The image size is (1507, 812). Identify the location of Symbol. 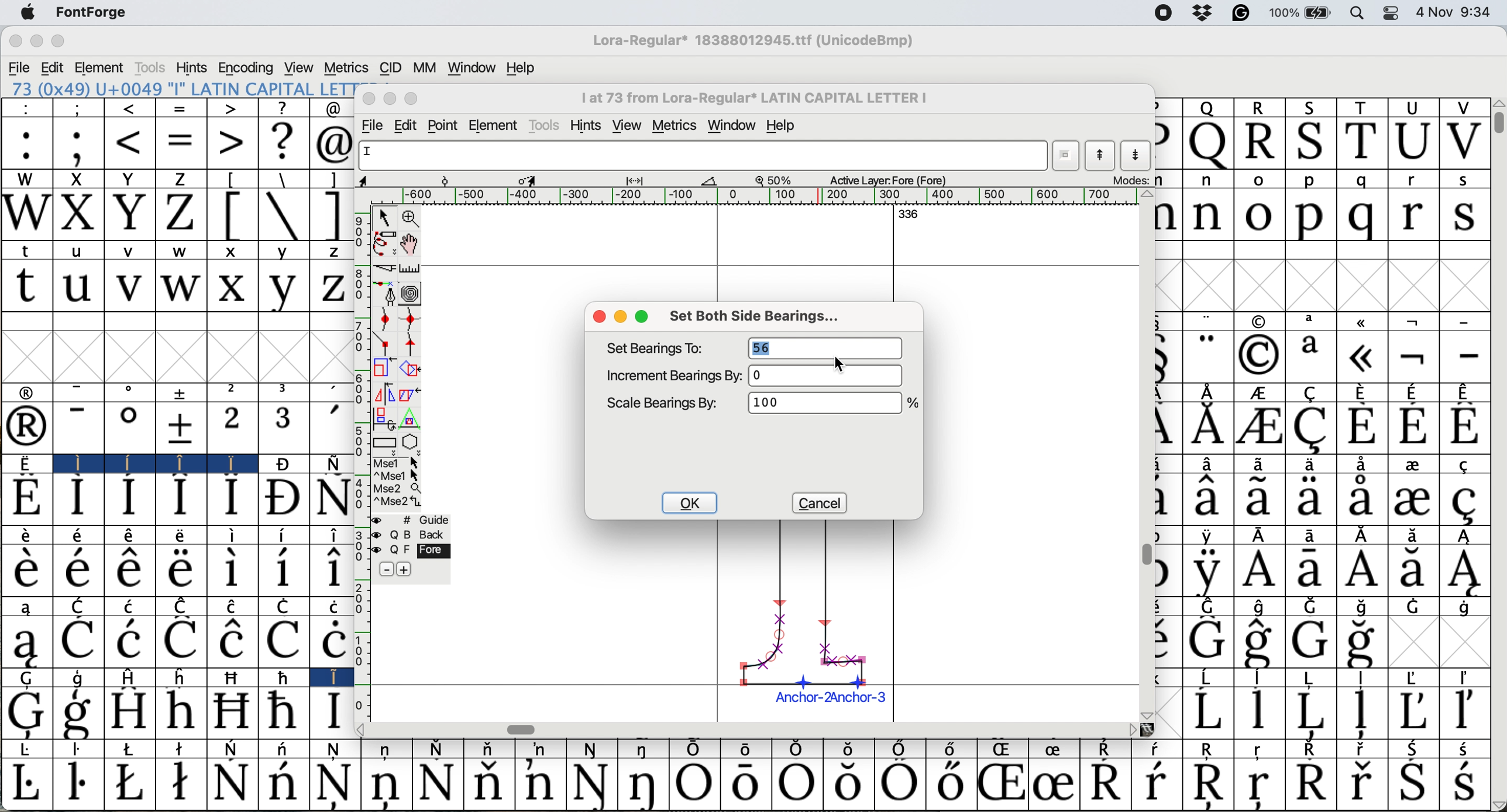
(1467, 748).